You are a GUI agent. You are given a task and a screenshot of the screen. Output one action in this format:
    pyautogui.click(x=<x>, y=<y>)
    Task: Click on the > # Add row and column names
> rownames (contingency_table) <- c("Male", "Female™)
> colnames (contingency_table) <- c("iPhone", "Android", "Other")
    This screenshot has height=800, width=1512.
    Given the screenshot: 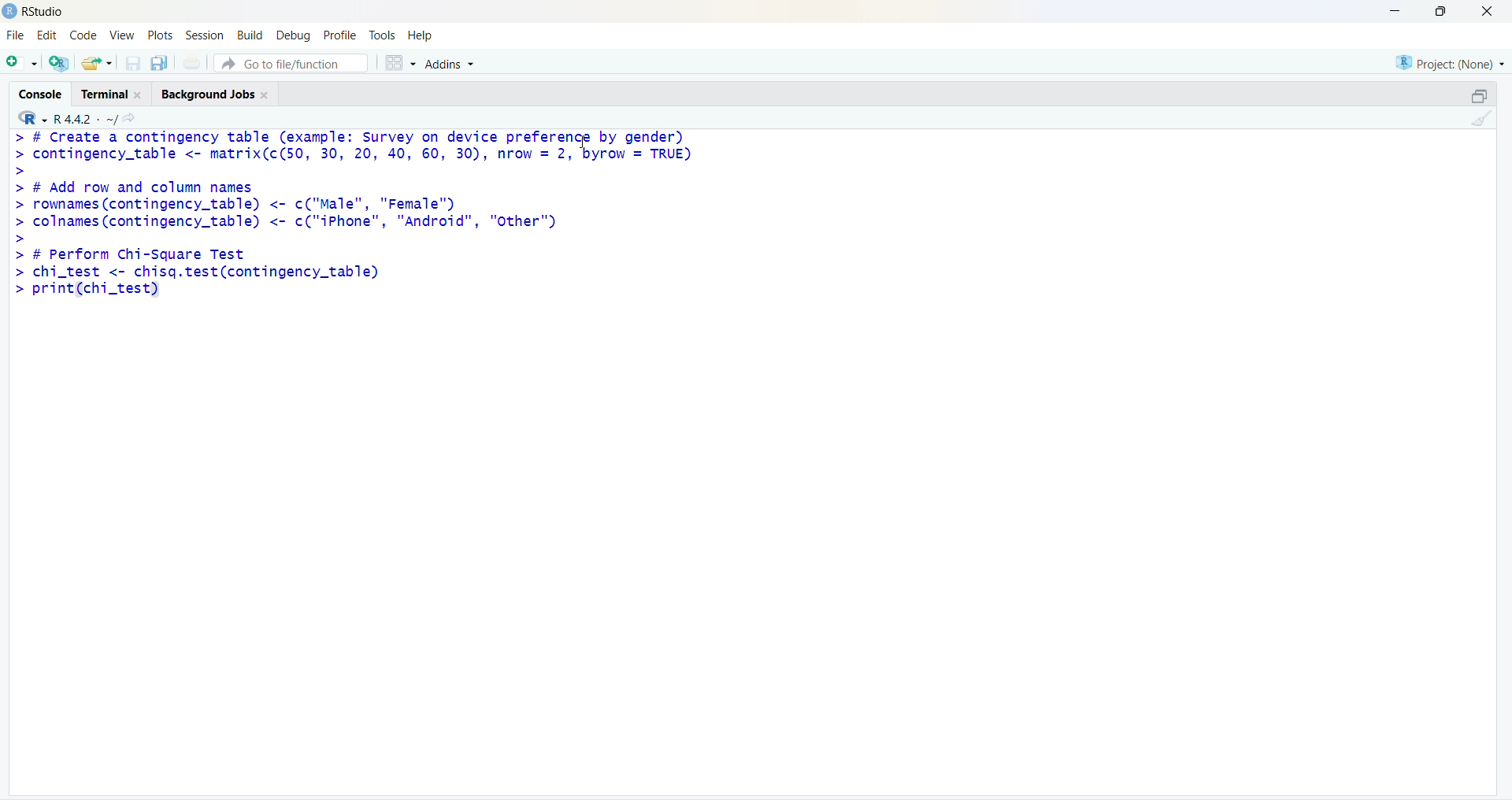 What is the action you would take?
    pyautogui.click(x=286, y=206)
    